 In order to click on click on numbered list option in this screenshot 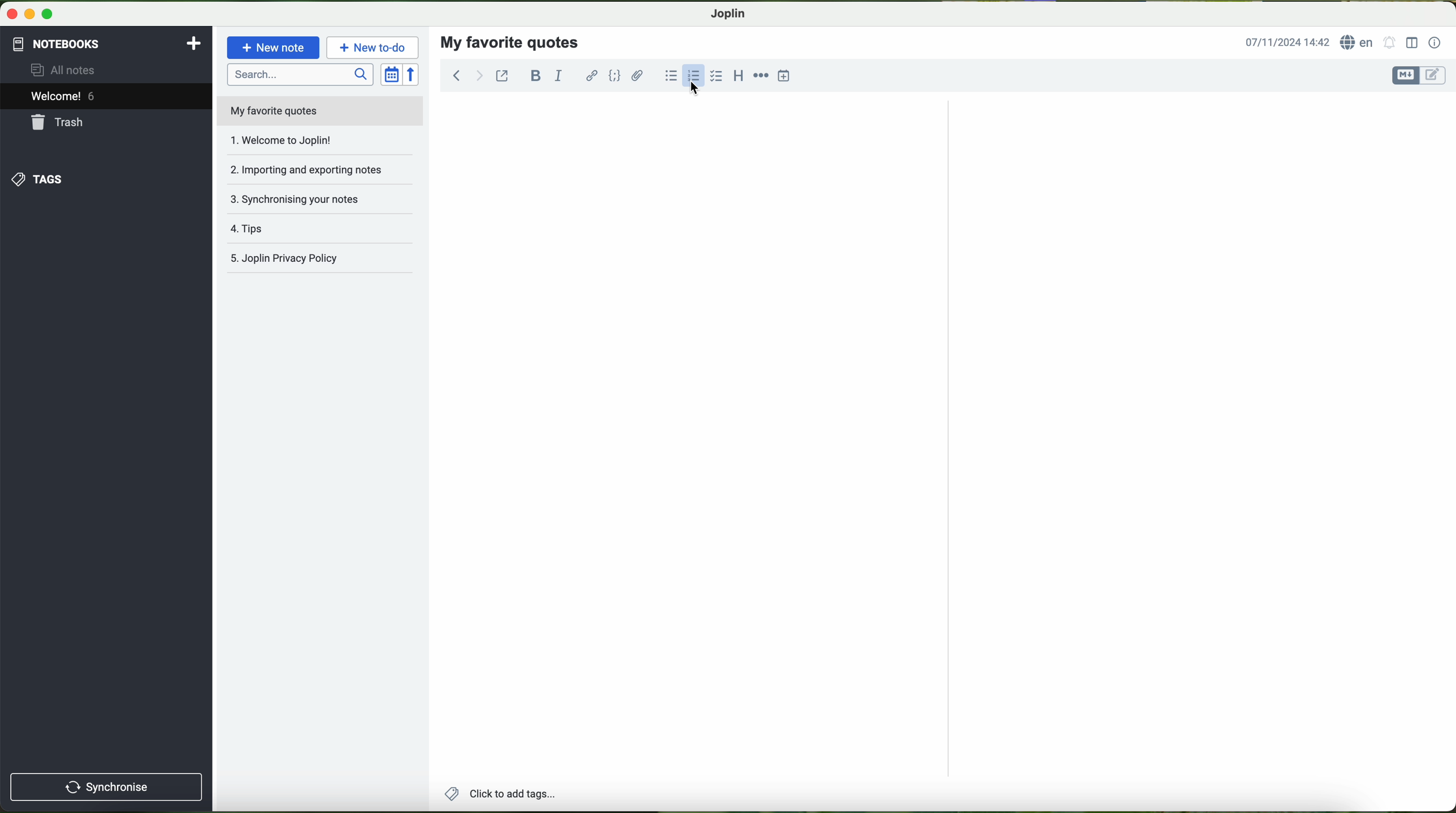, I will do `click(691, 79)`.